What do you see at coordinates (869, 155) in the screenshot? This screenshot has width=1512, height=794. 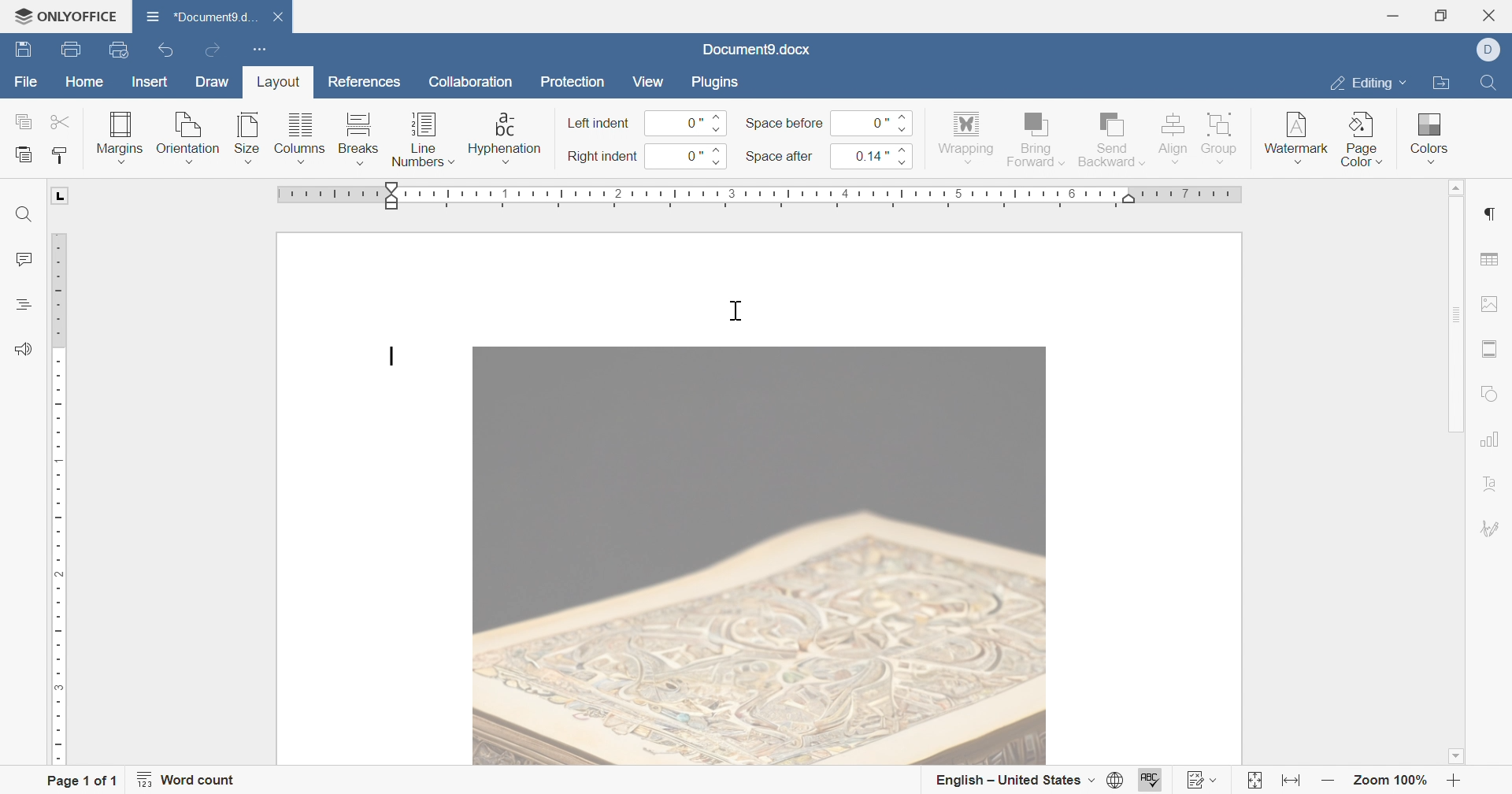 I see `0.14` at bounding box center [869, 155].